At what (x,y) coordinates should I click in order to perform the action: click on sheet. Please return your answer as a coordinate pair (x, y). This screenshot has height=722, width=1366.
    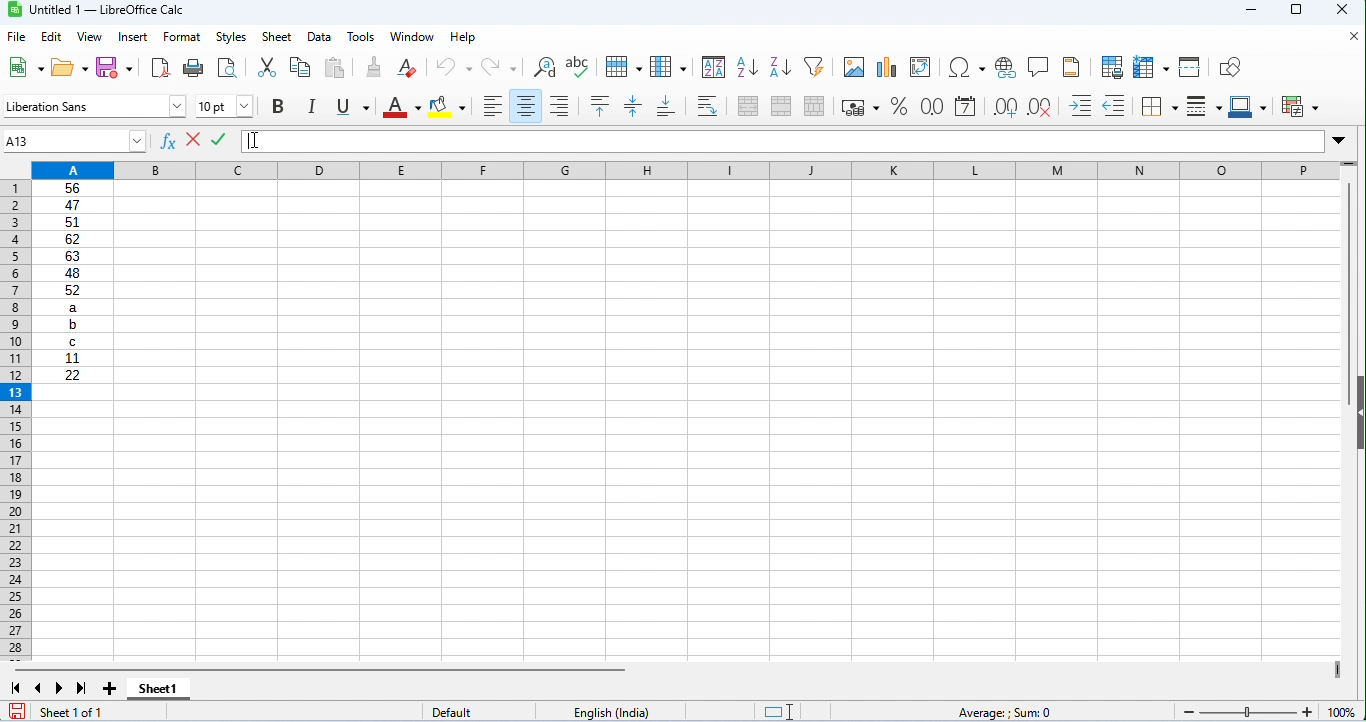
    Looking at the image, I should click on (277, 36).